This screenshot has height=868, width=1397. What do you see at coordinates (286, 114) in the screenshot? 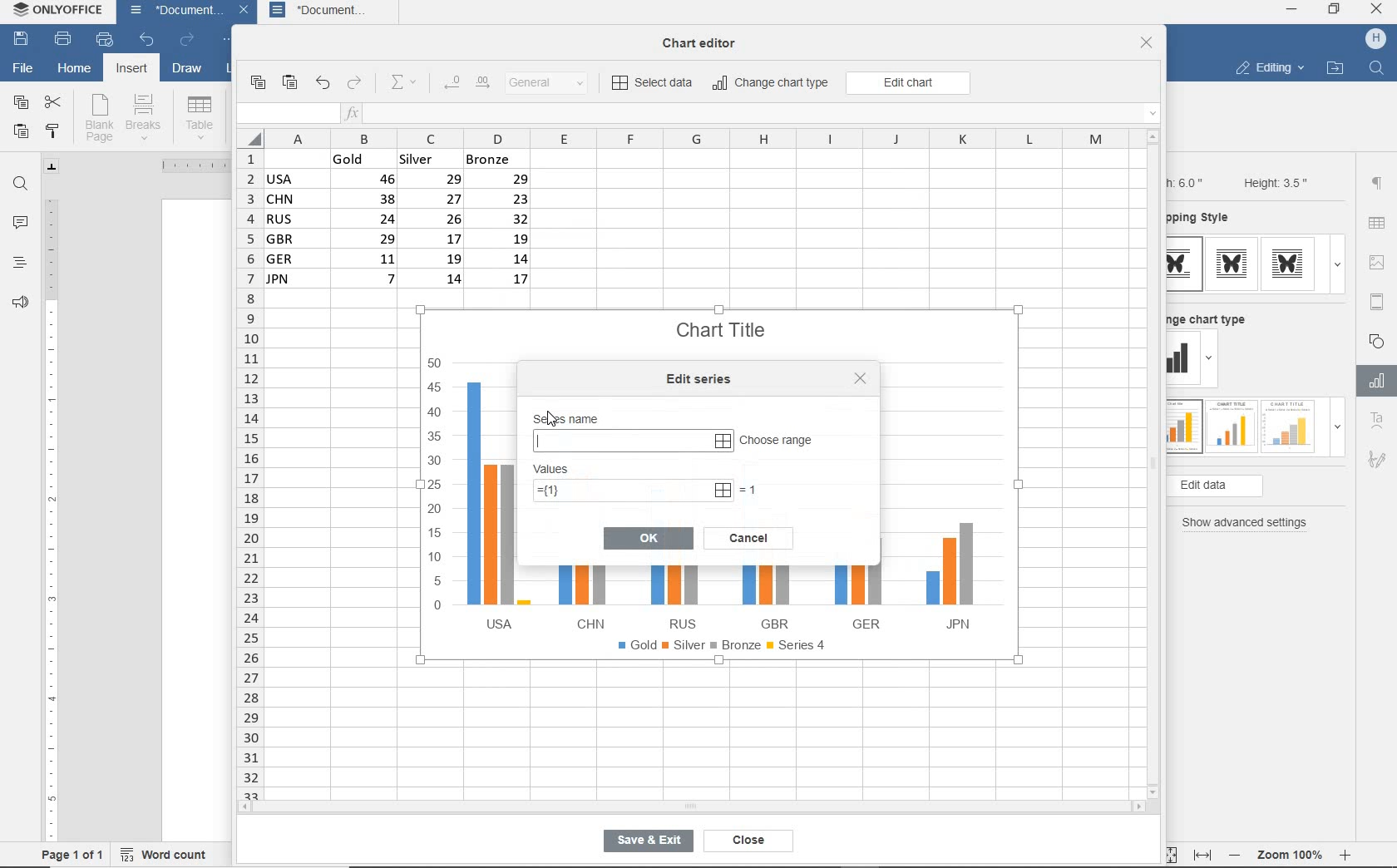
I see `input field` at bounding box center [286, 114].